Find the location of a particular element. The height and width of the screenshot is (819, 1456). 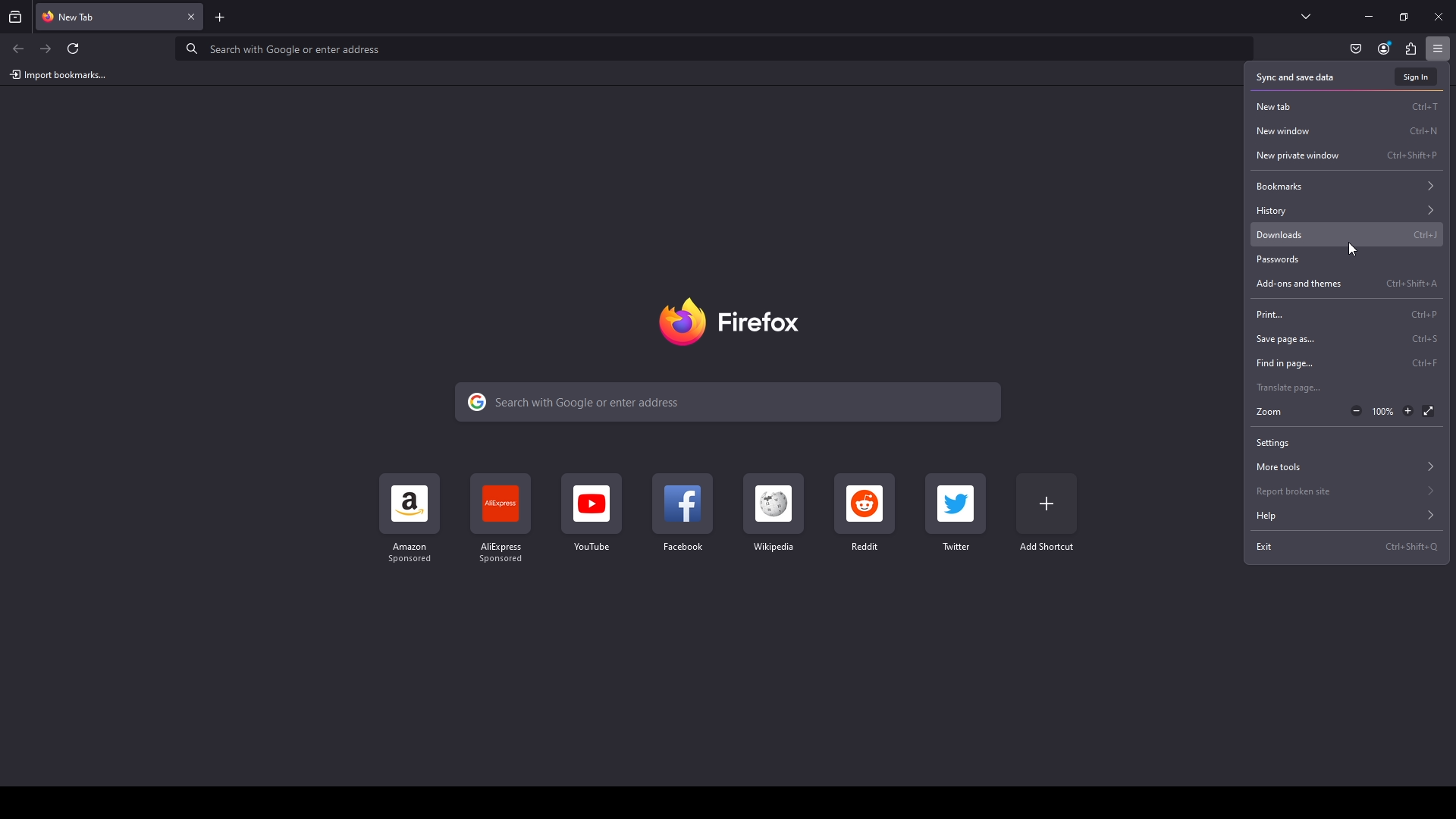

Exit is located at coordinates (1348, 547).